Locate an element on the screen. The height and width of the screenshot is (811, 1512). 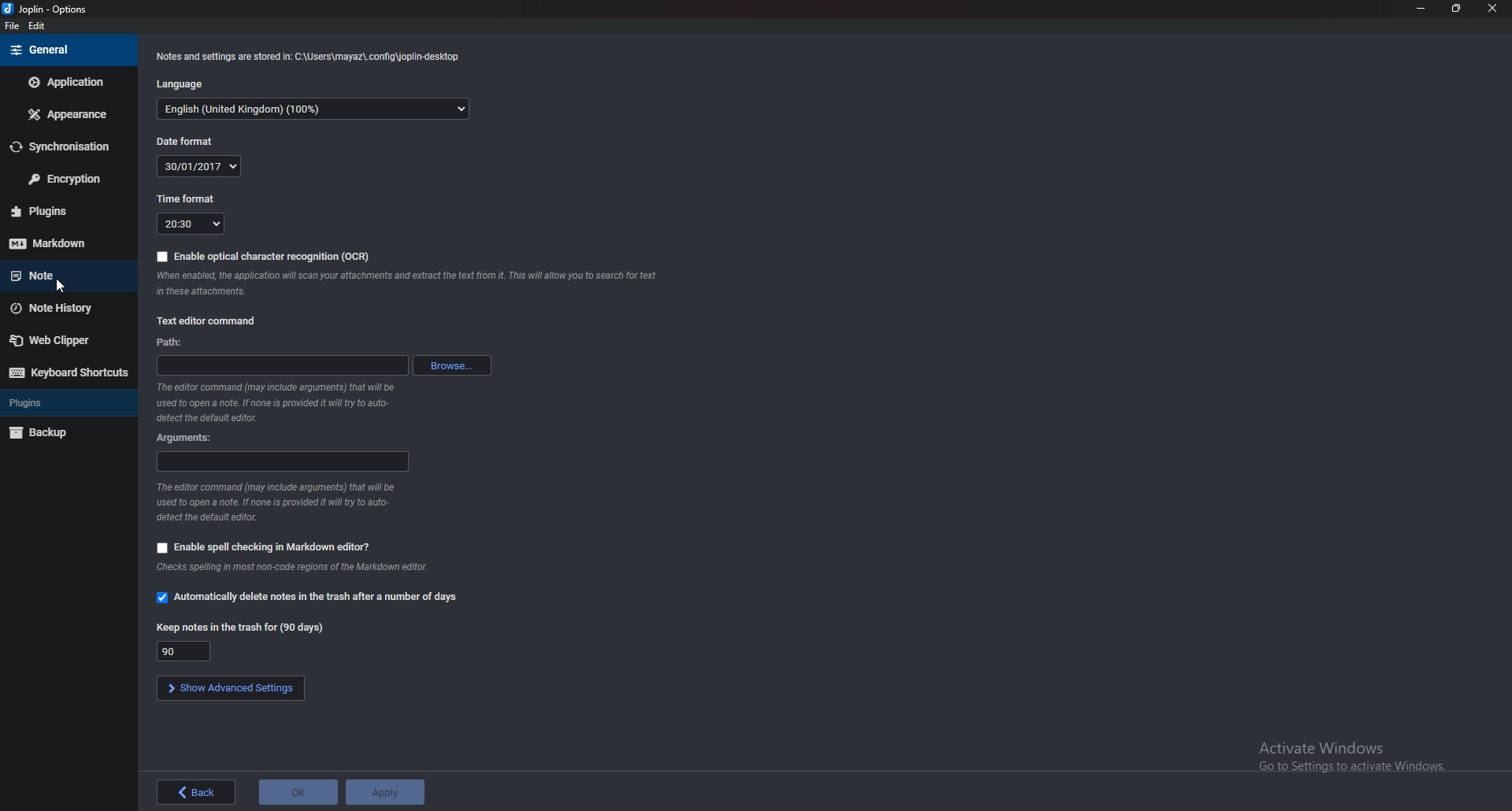
Info is located at coordinates (293, 568).